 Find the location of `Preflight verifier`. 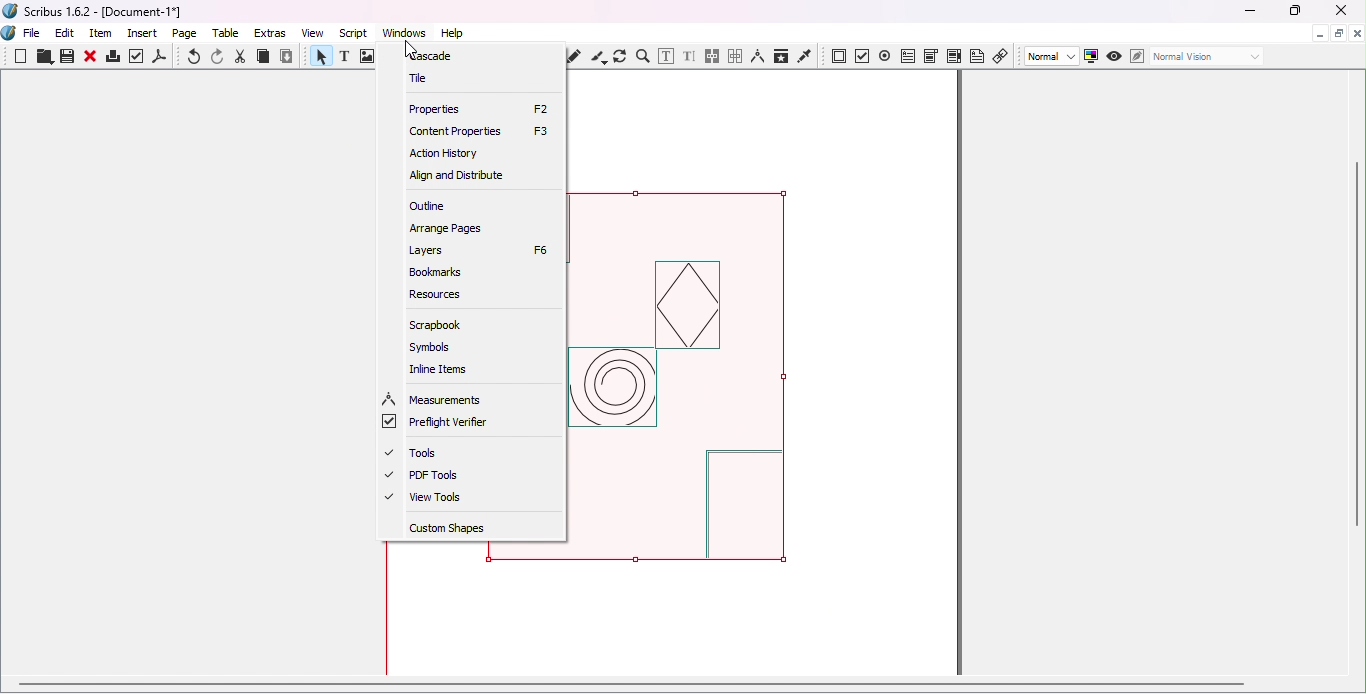

Preflight verifier is located at coordinates (442, 424).